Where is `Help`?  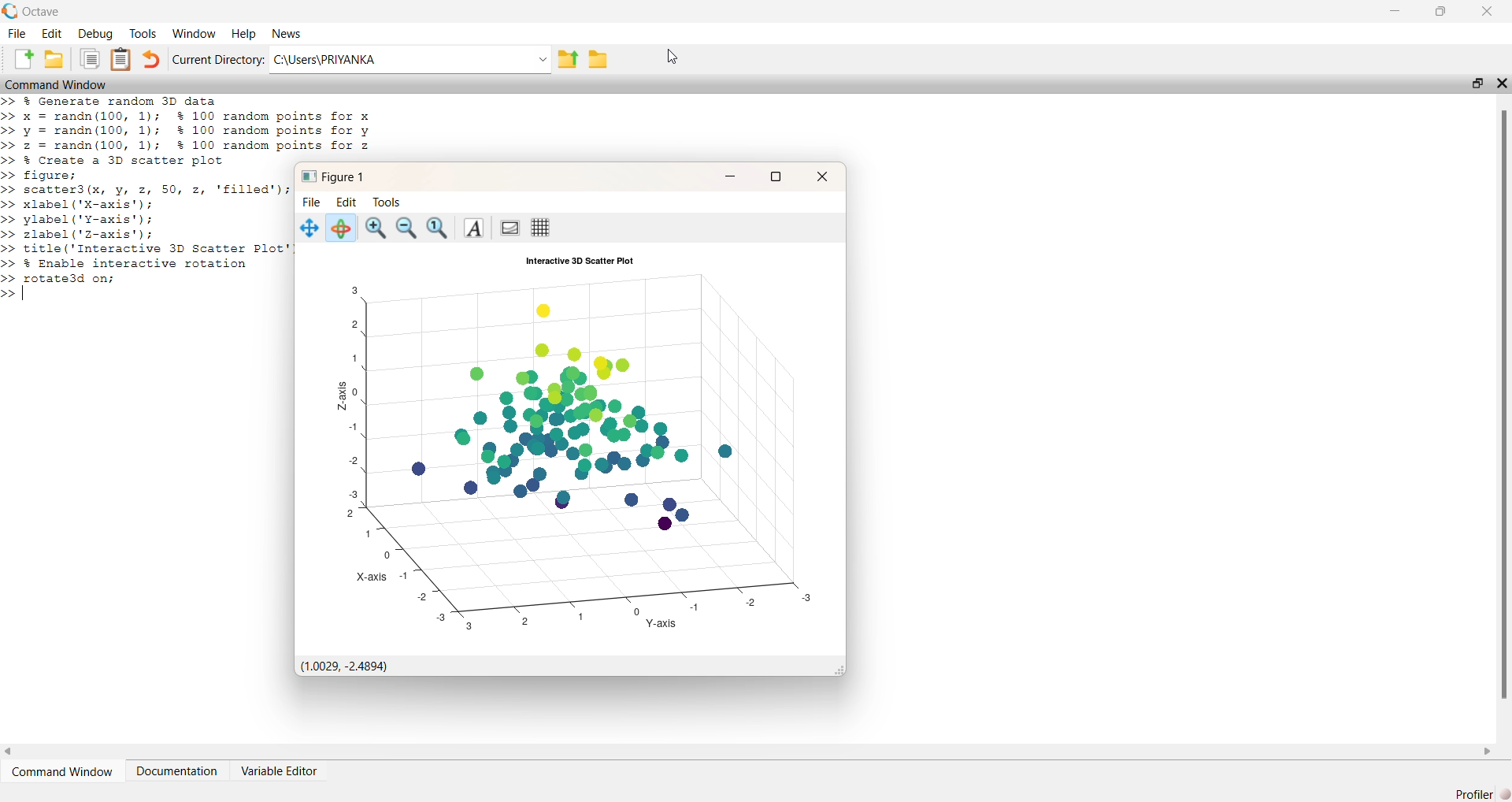 Help is located at coordinates (245, 34).